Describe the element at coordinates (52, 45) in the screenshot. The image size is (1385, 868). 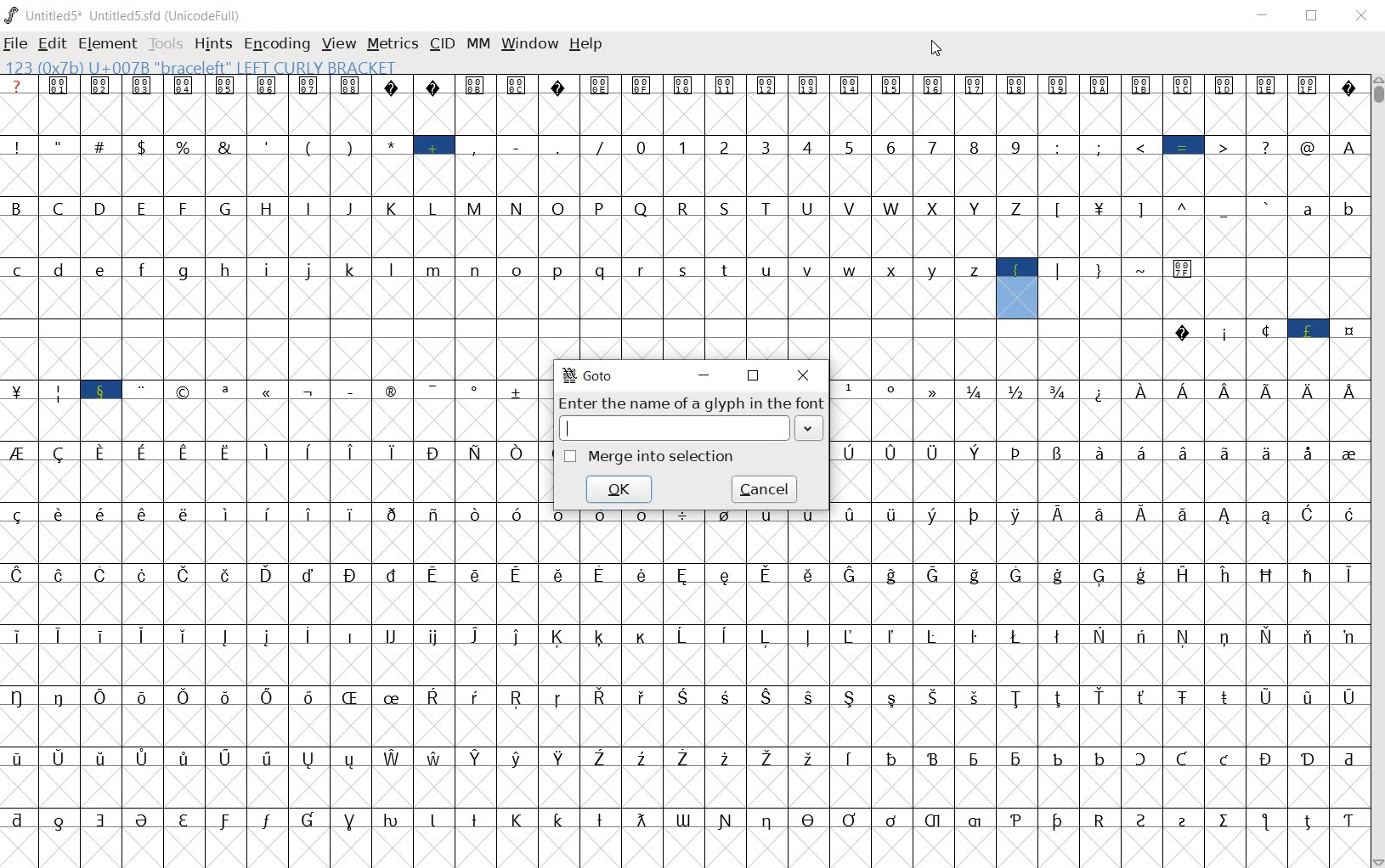
I see `EDIT` at that location.